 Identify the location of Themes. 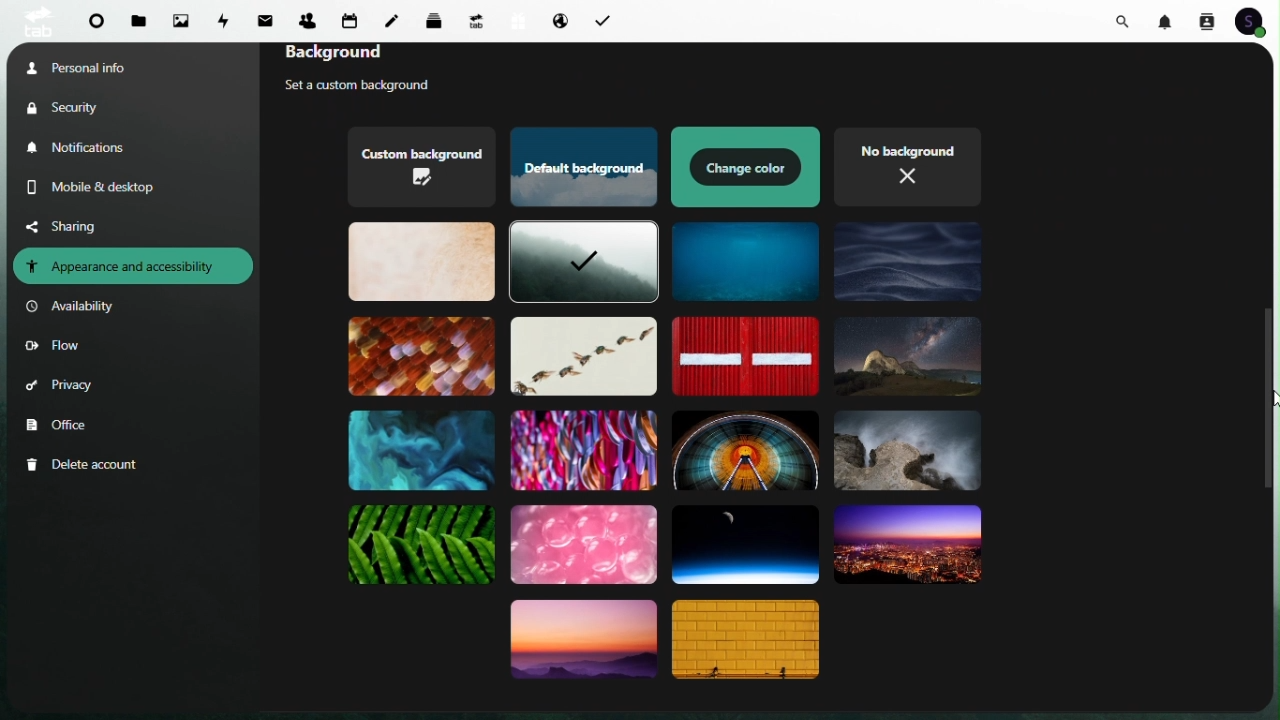
(420, 263).